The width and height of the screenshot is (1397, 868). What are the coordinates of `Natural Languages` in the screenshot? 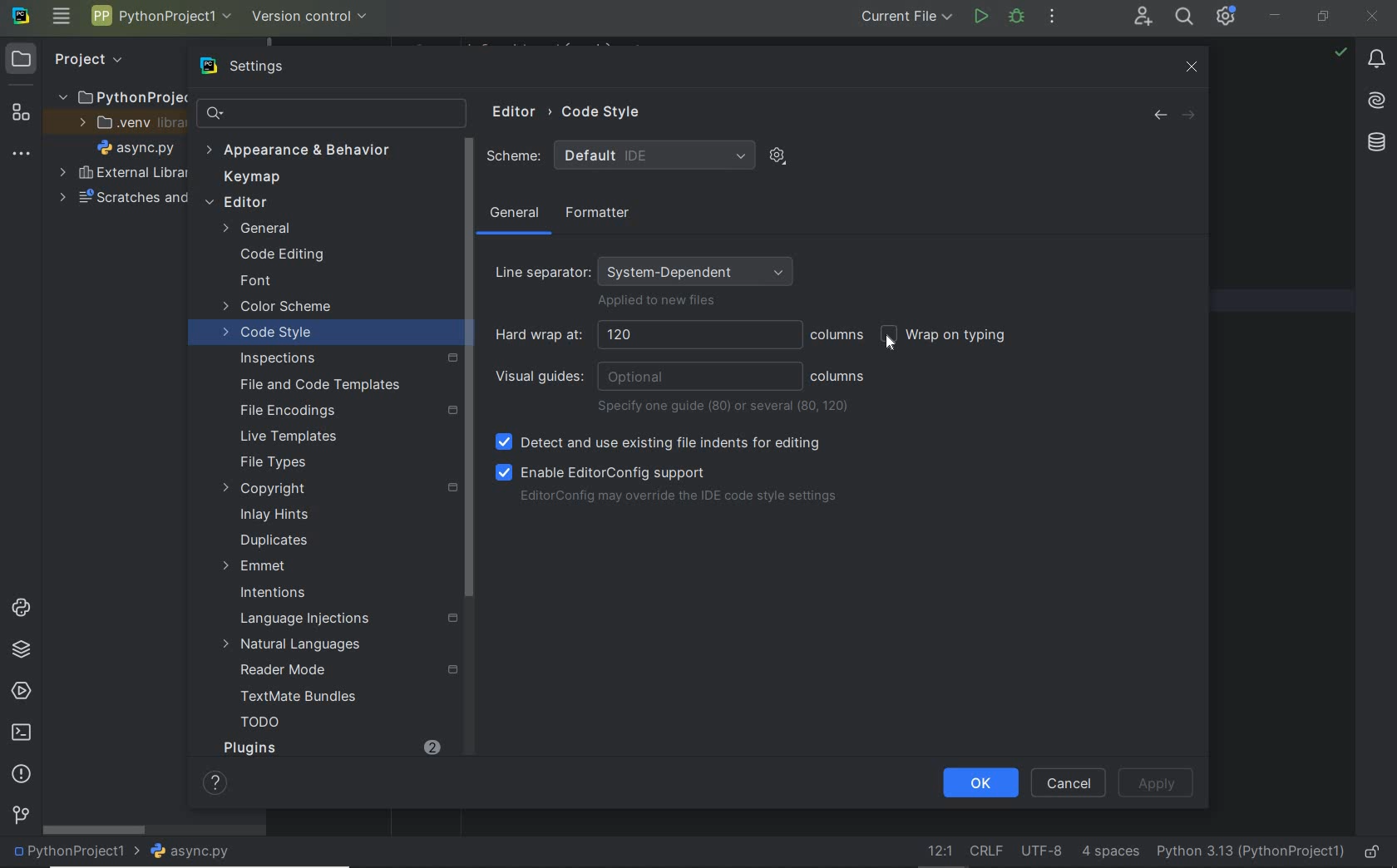 It's located at (294, 646).